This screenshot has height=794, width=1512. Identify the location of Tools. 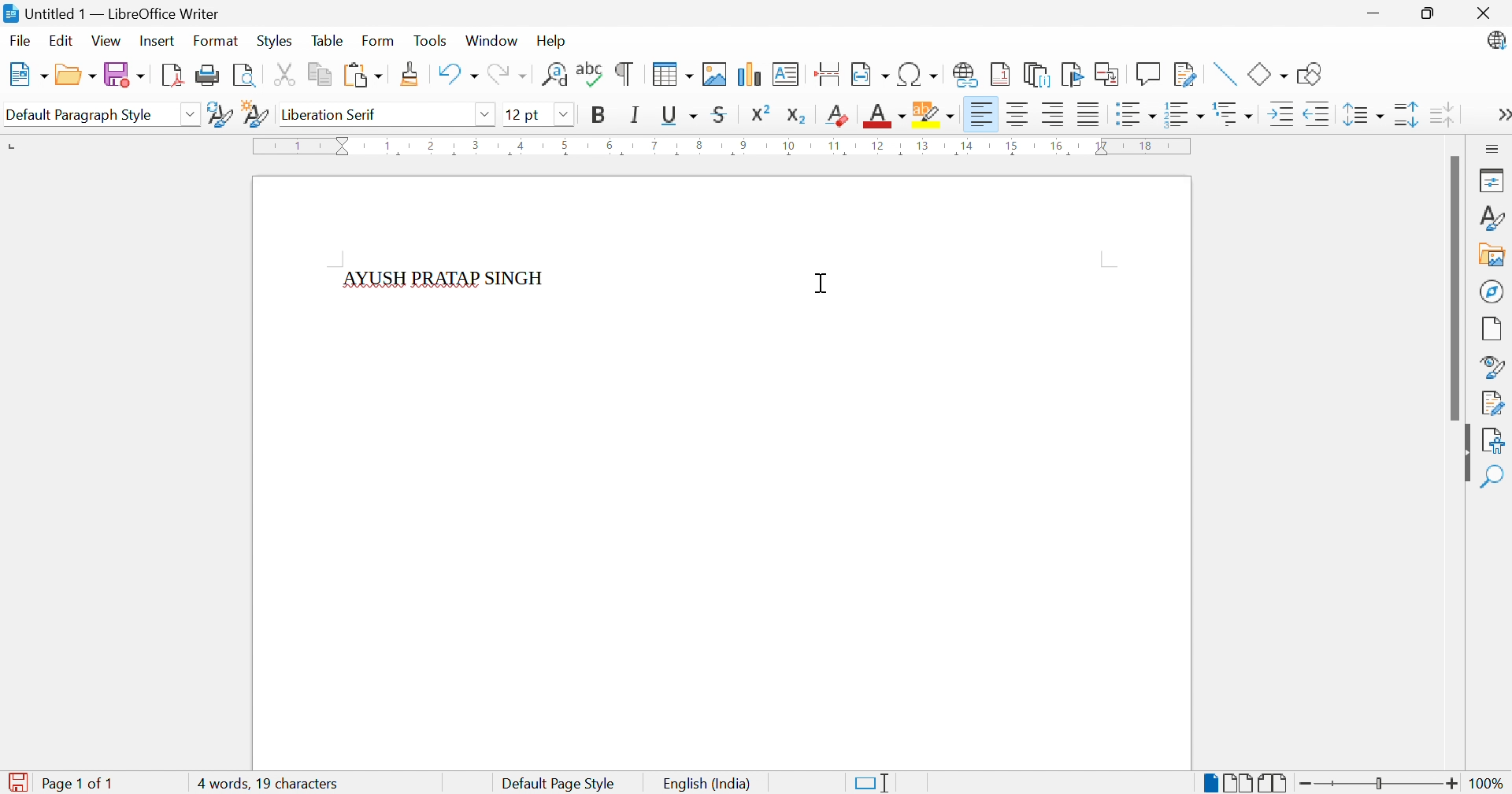
(431, 39).